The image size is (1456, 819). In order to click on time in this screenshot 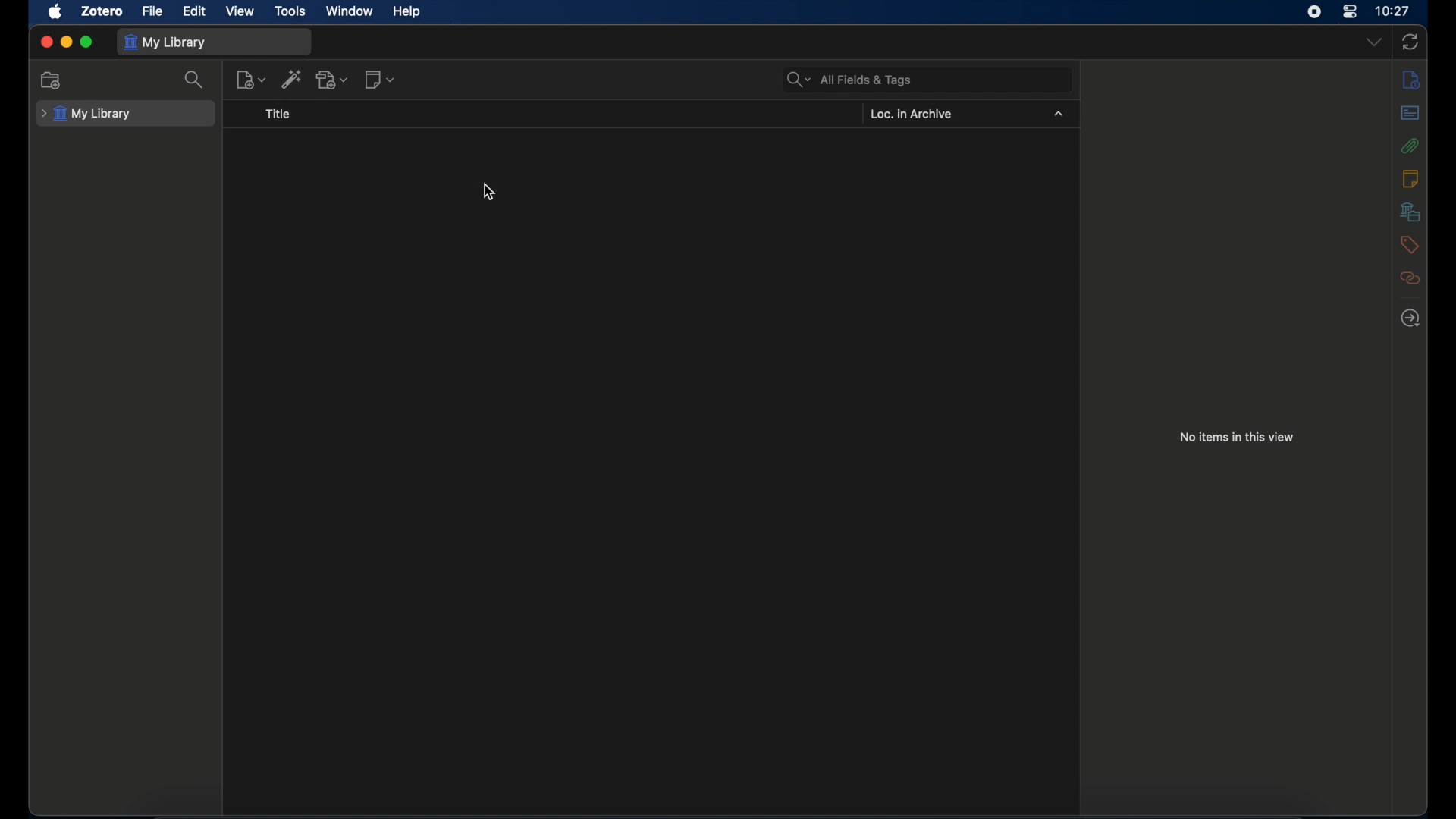, I will do `click(1394, 10)`.